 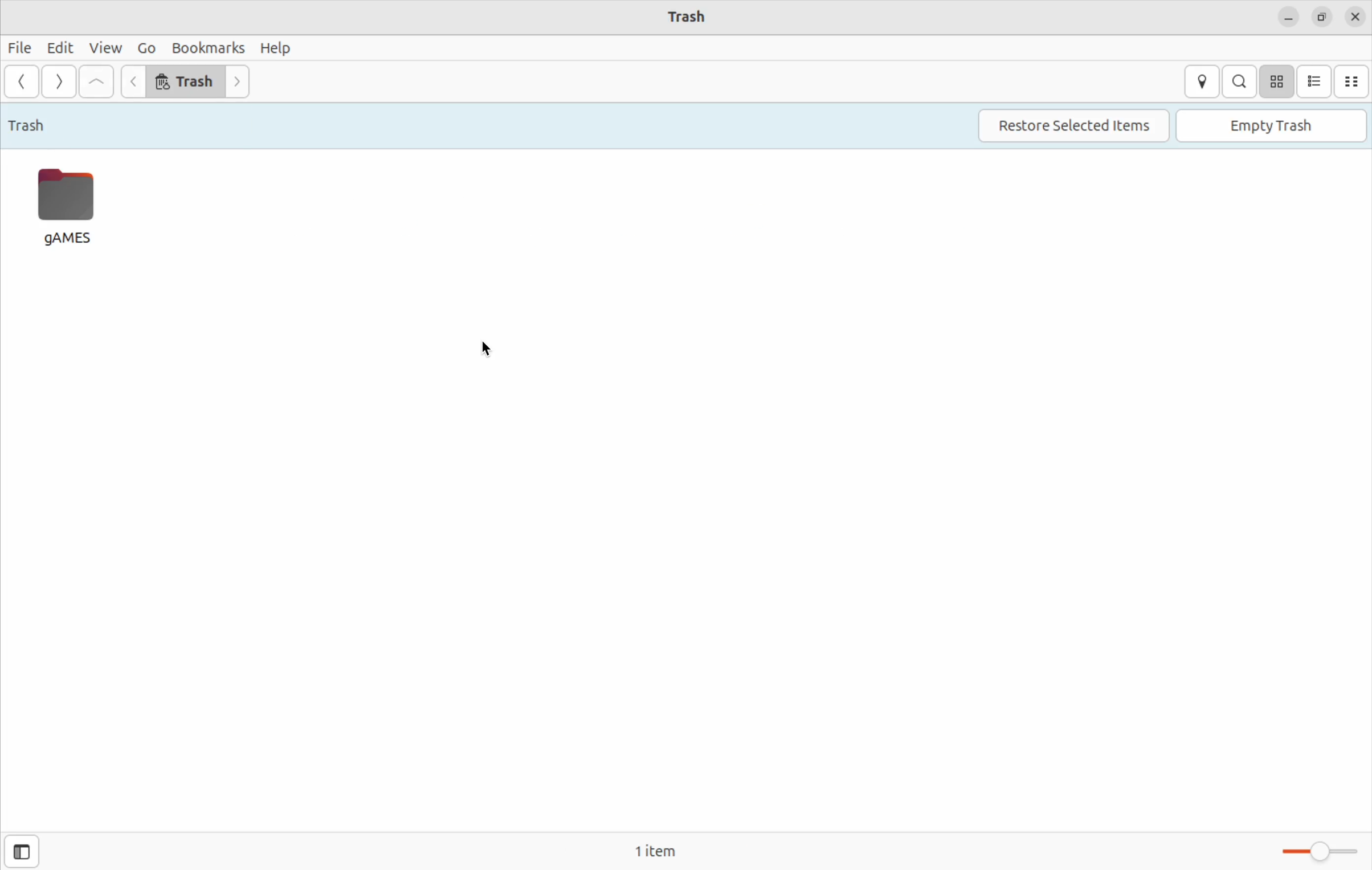 What do you see at coordinates (30, 124) in the screenshot?
I see `trash` at bounding box center [30, 124].